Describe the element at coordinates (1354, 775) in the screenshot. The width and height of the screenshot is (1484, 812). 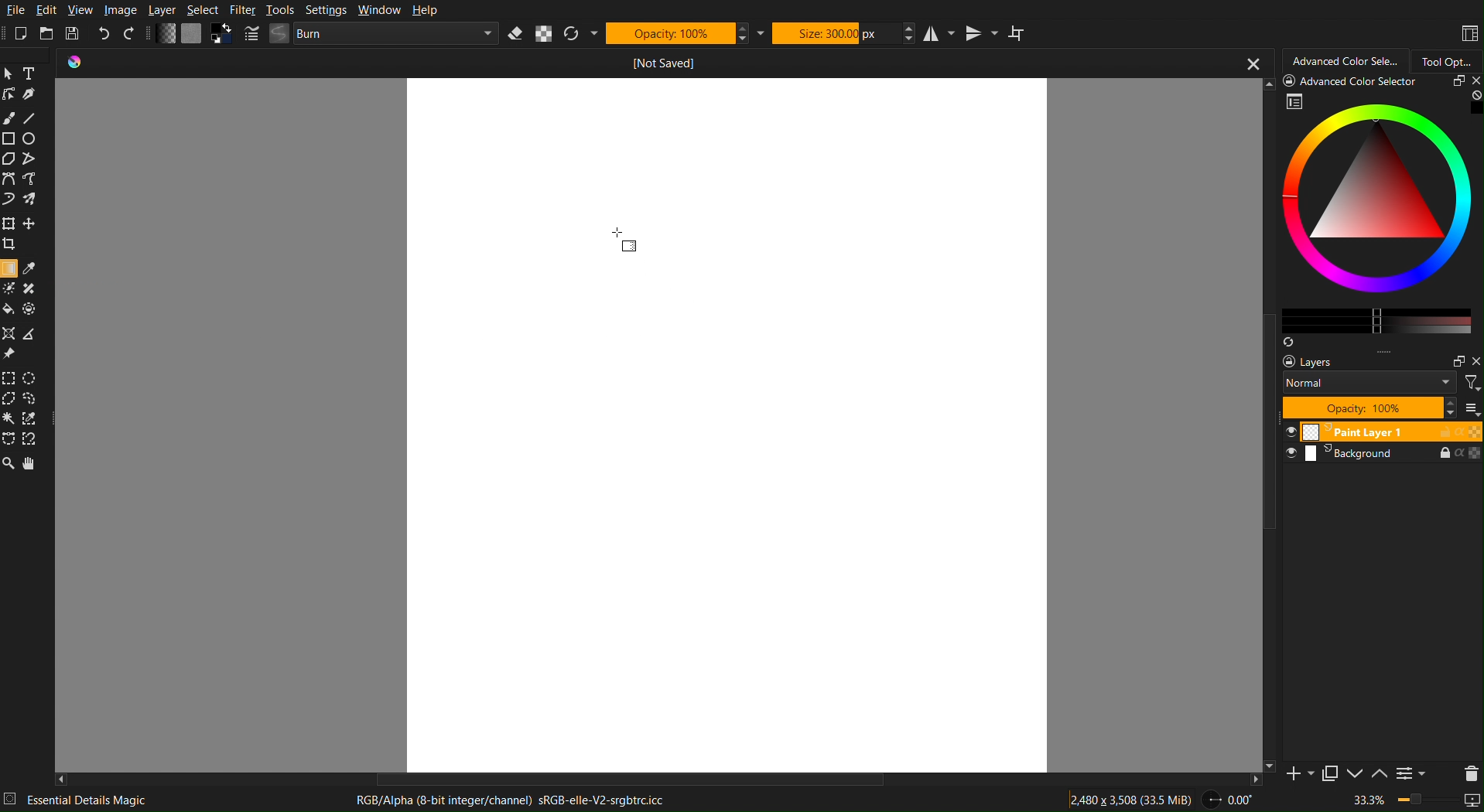
I see `Down` at that location.